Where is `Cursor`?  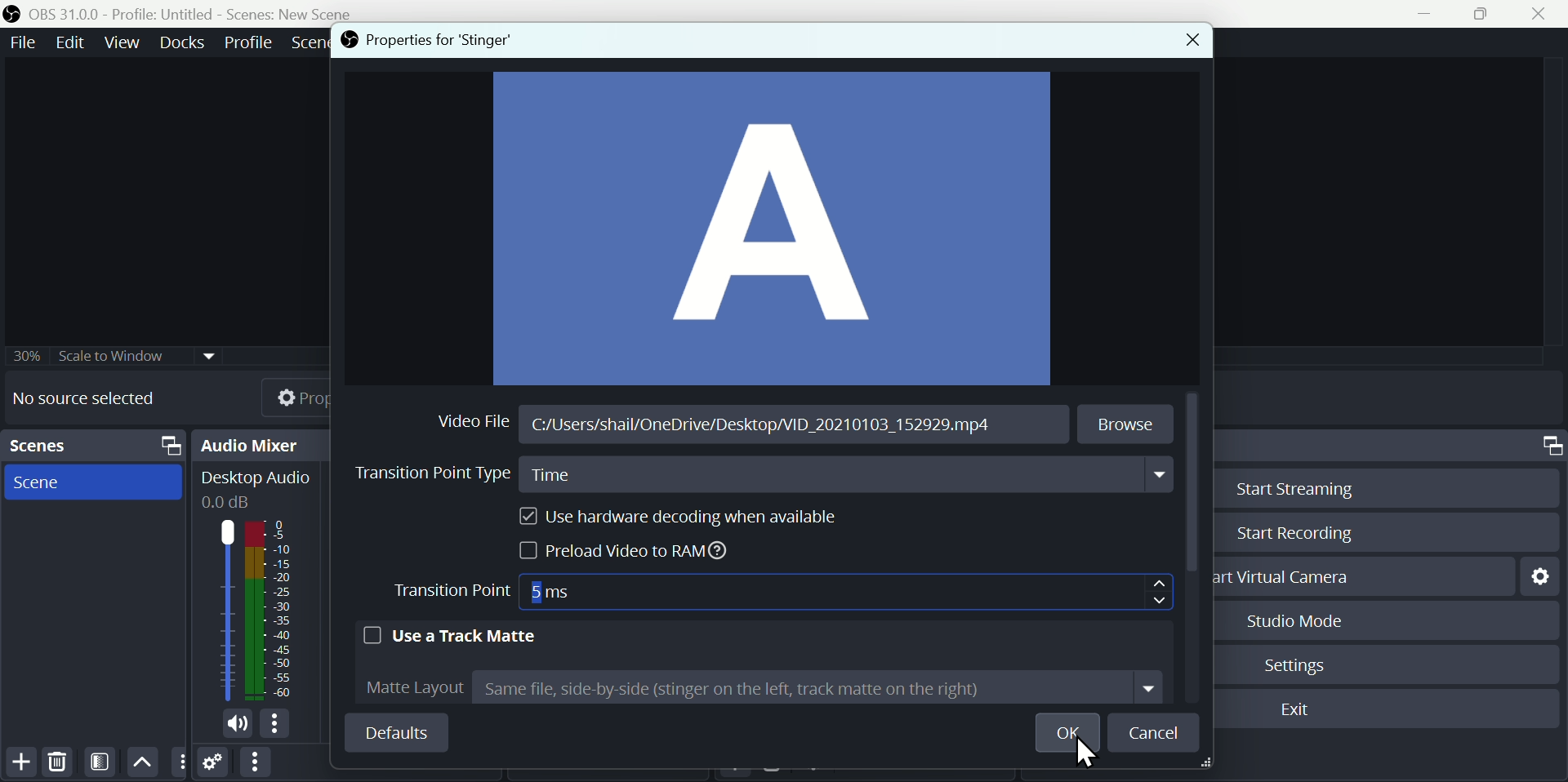 Cursor is located at coordinates (1162, 592).